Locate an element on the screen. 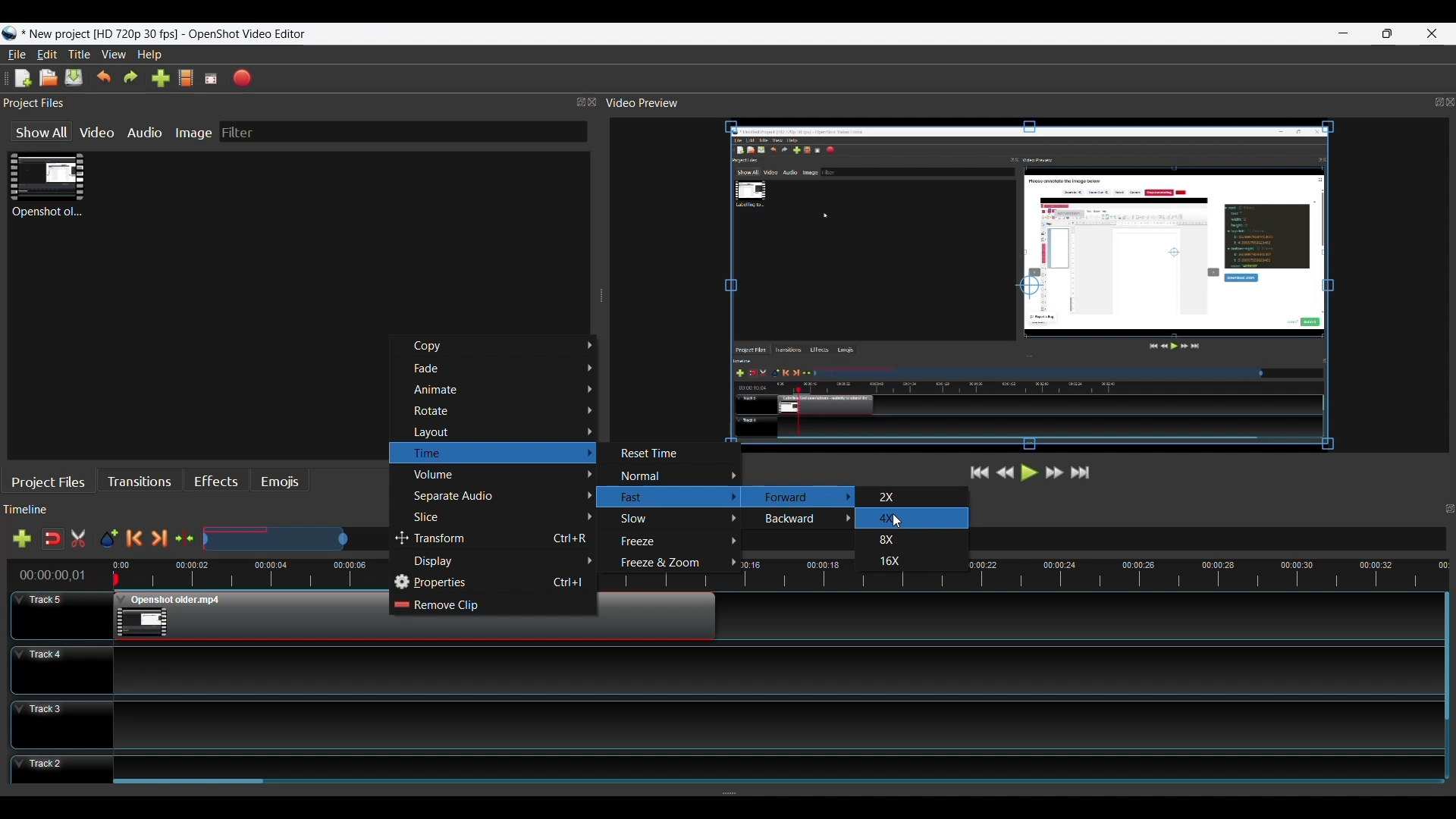  Export Video is located at coordinates (243, 78).